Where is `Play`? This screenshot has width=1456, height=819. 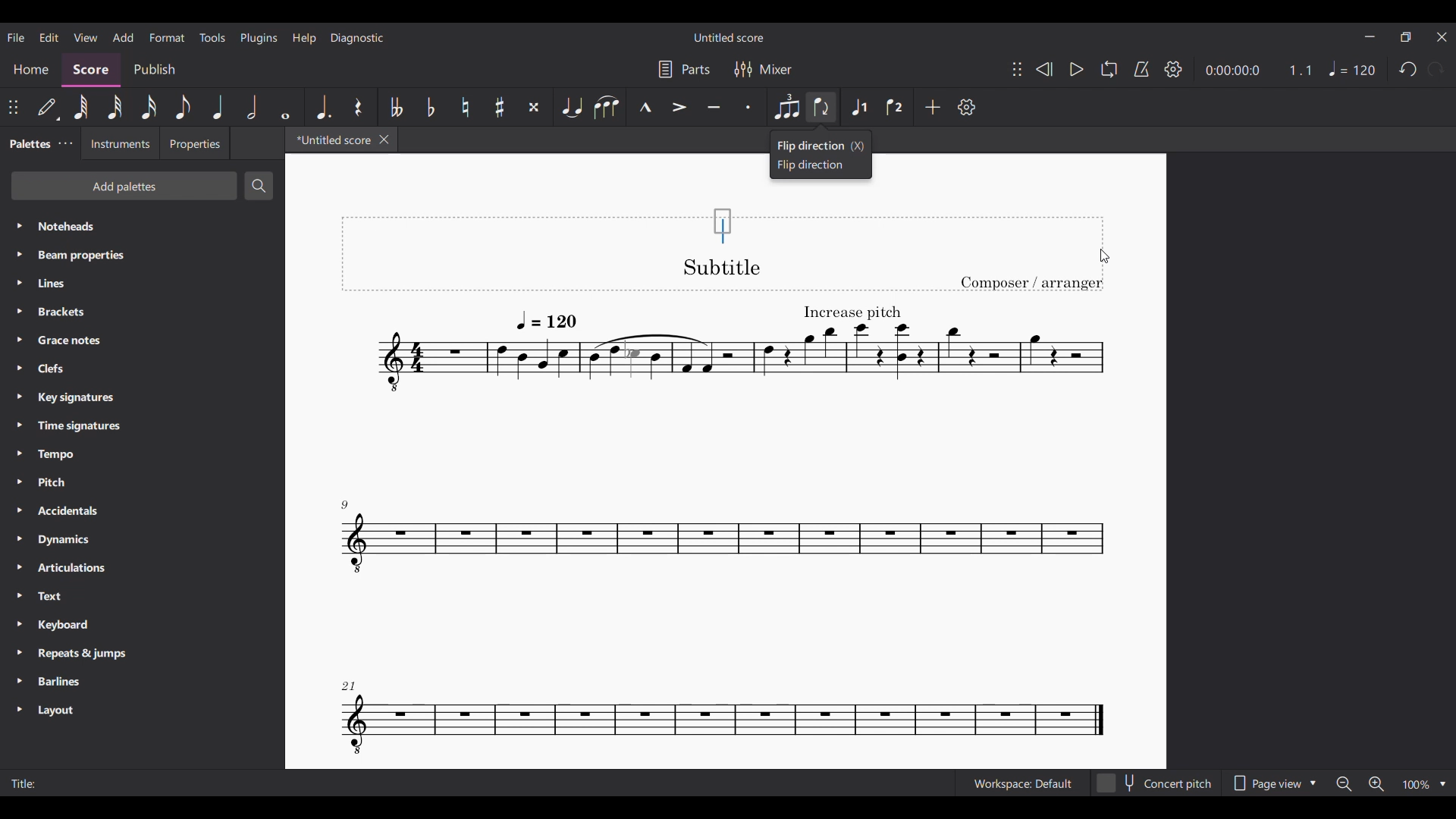 Play is located at coordinates (1078, 69).